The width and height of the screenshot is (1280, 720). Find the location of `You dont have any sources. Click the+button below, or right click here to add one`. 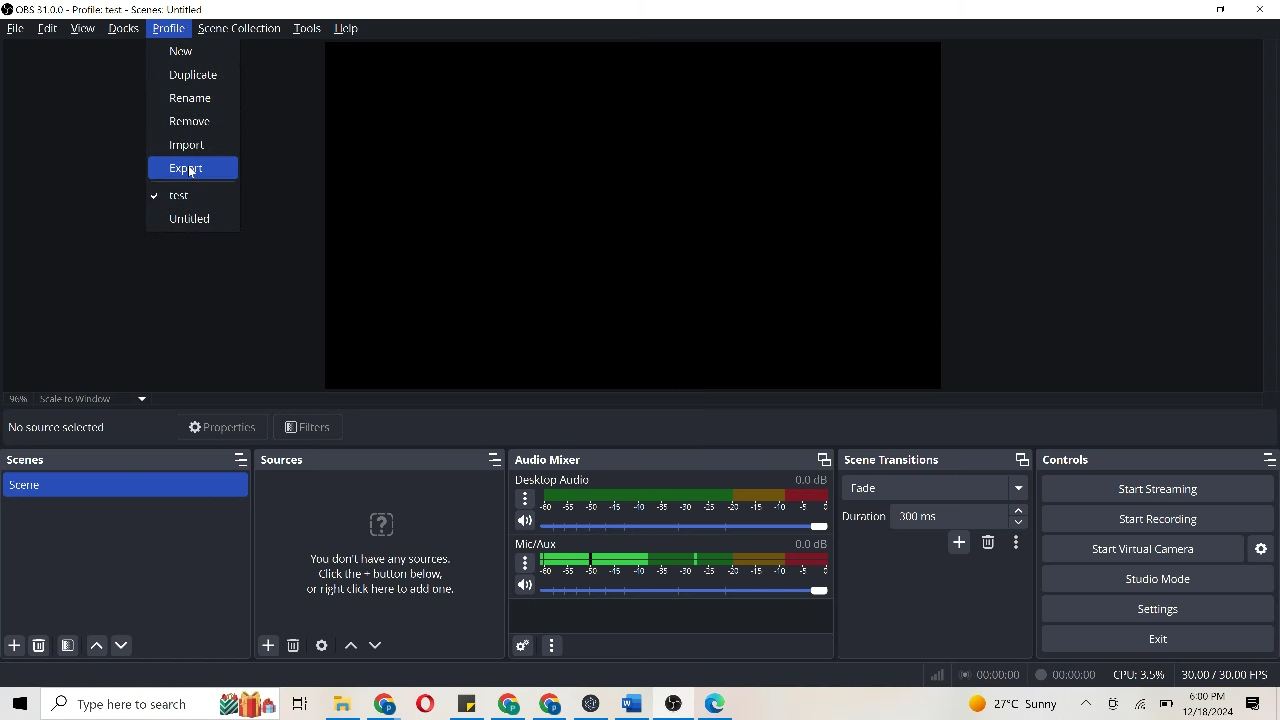

You dont have any sources. Click the+button below, or right click here to add one is located at coordinates (377, 589).